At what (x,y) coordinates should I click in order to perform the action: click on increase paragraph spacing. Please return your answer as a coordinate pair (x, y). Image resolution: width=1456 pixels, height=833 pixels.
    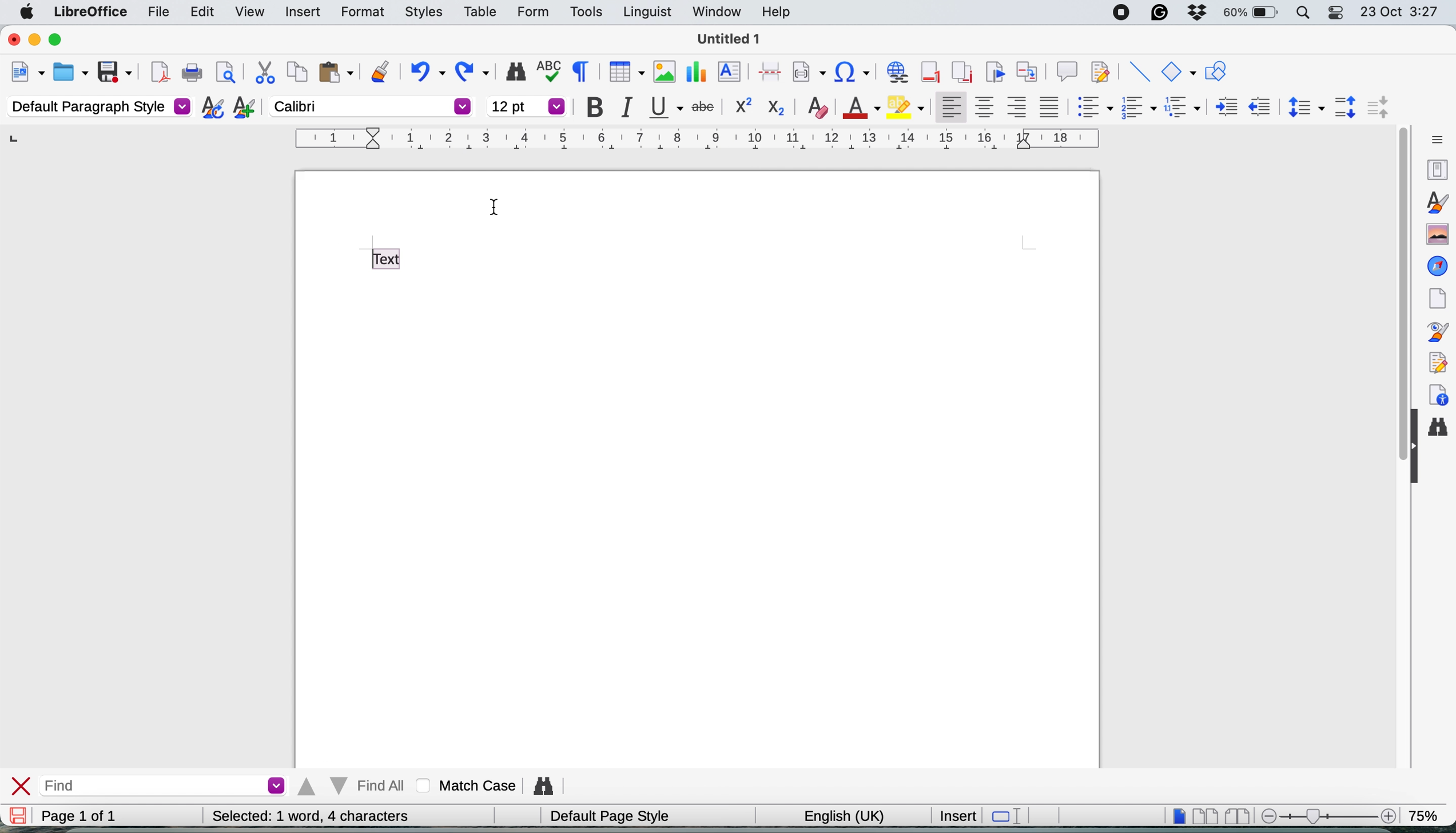
    Looking at the image, I should click on (1347, 106).